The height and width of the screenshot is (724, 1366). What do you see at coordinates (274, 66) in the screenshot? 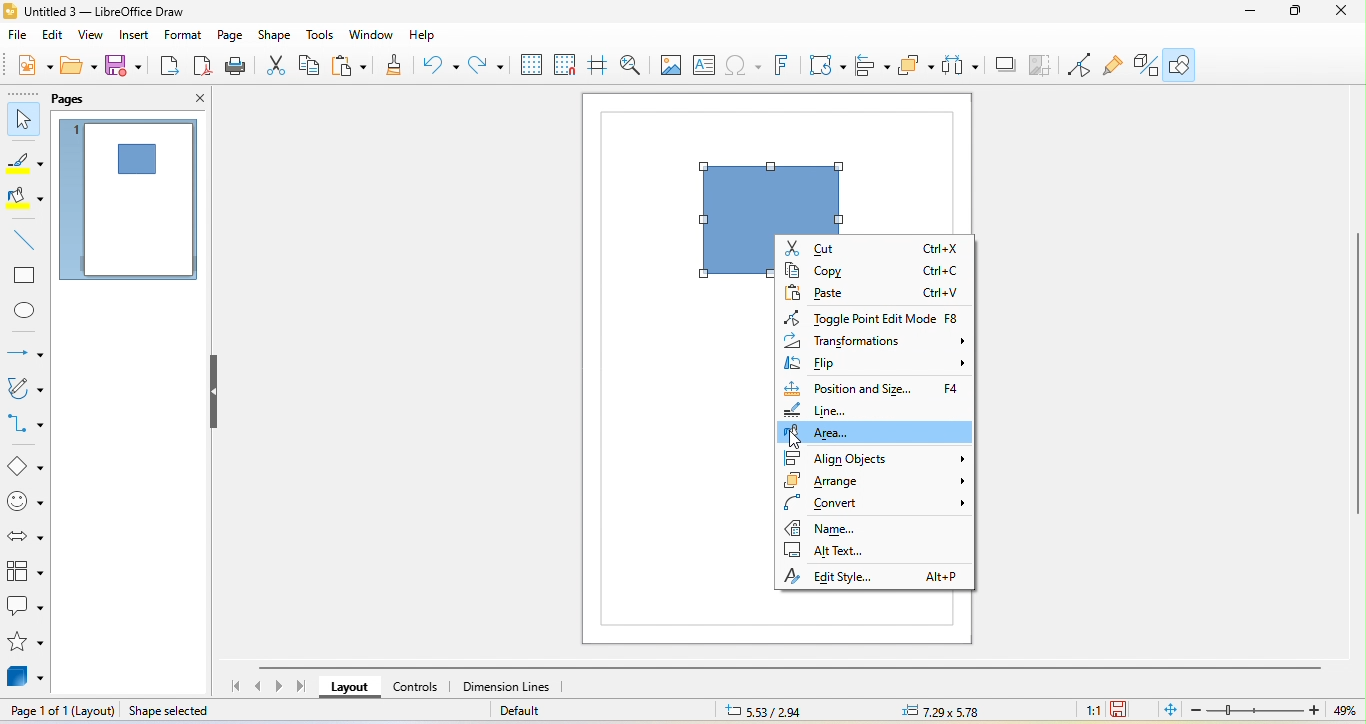
I see `cut` at bounding box center [274, 66].